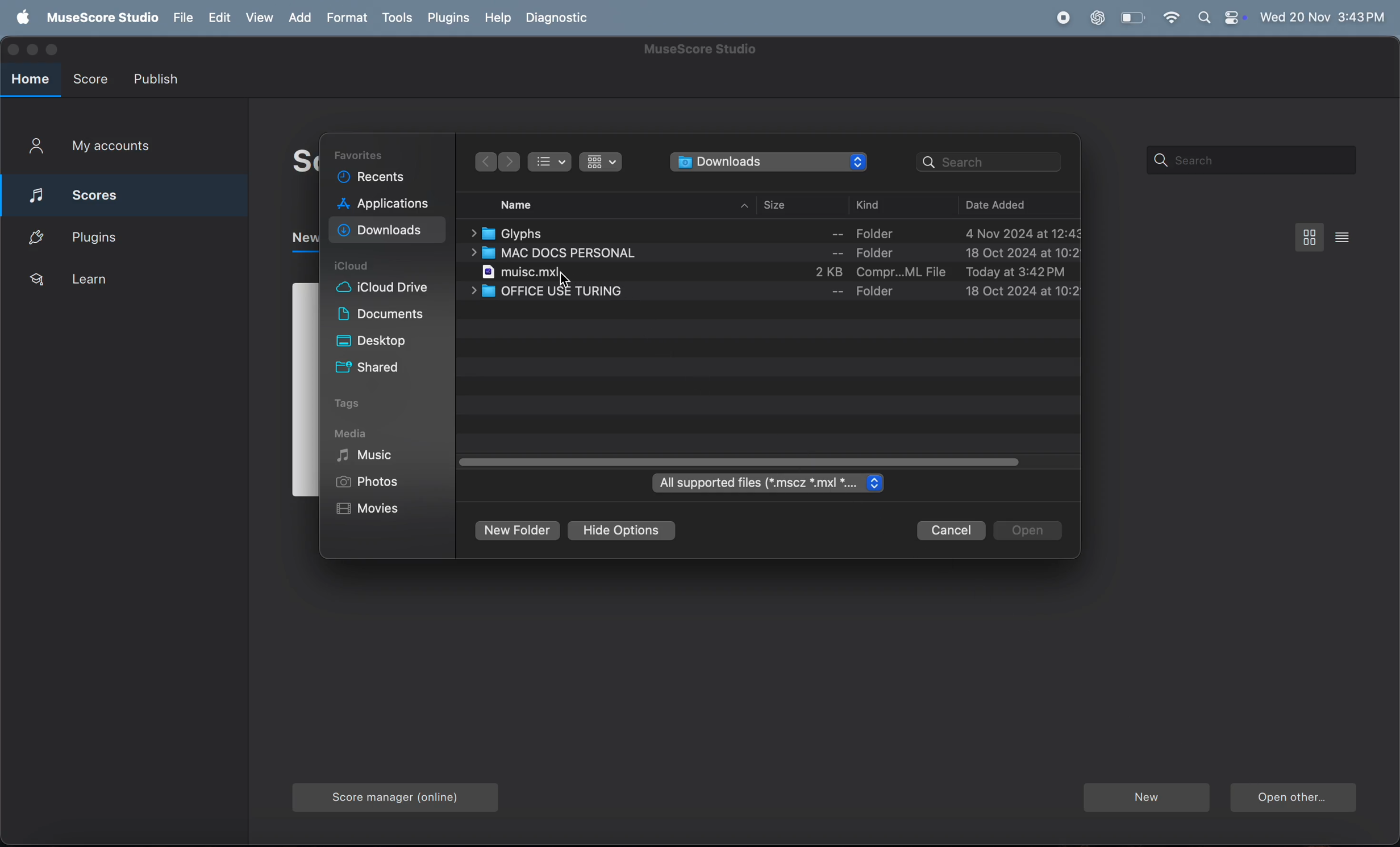 The height and width of the screenshot is (847, 1400). Describe the element at coordinates (111, 150) in the screenshot. I see `my account` at that location.